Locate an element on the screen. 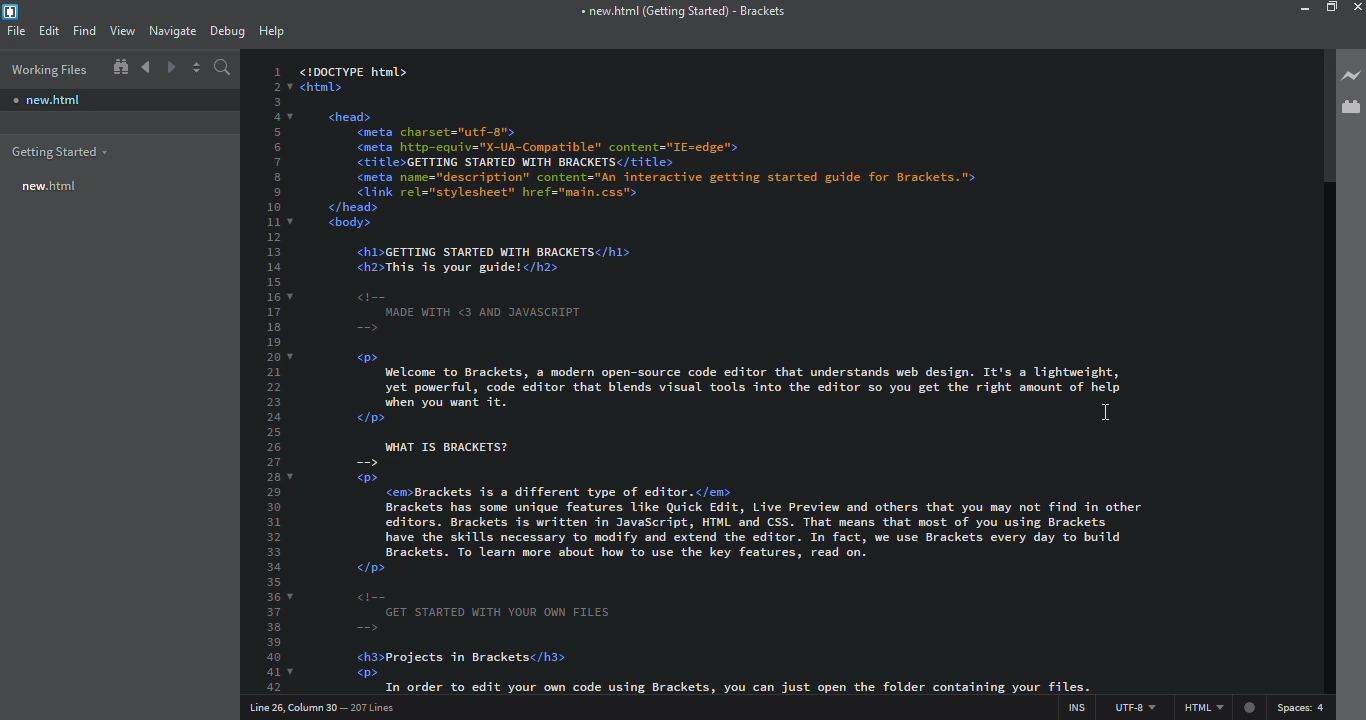 Image resolution: width=1366 pixels, height=720 pixels. spaces is located at coordinates (1305, 707).